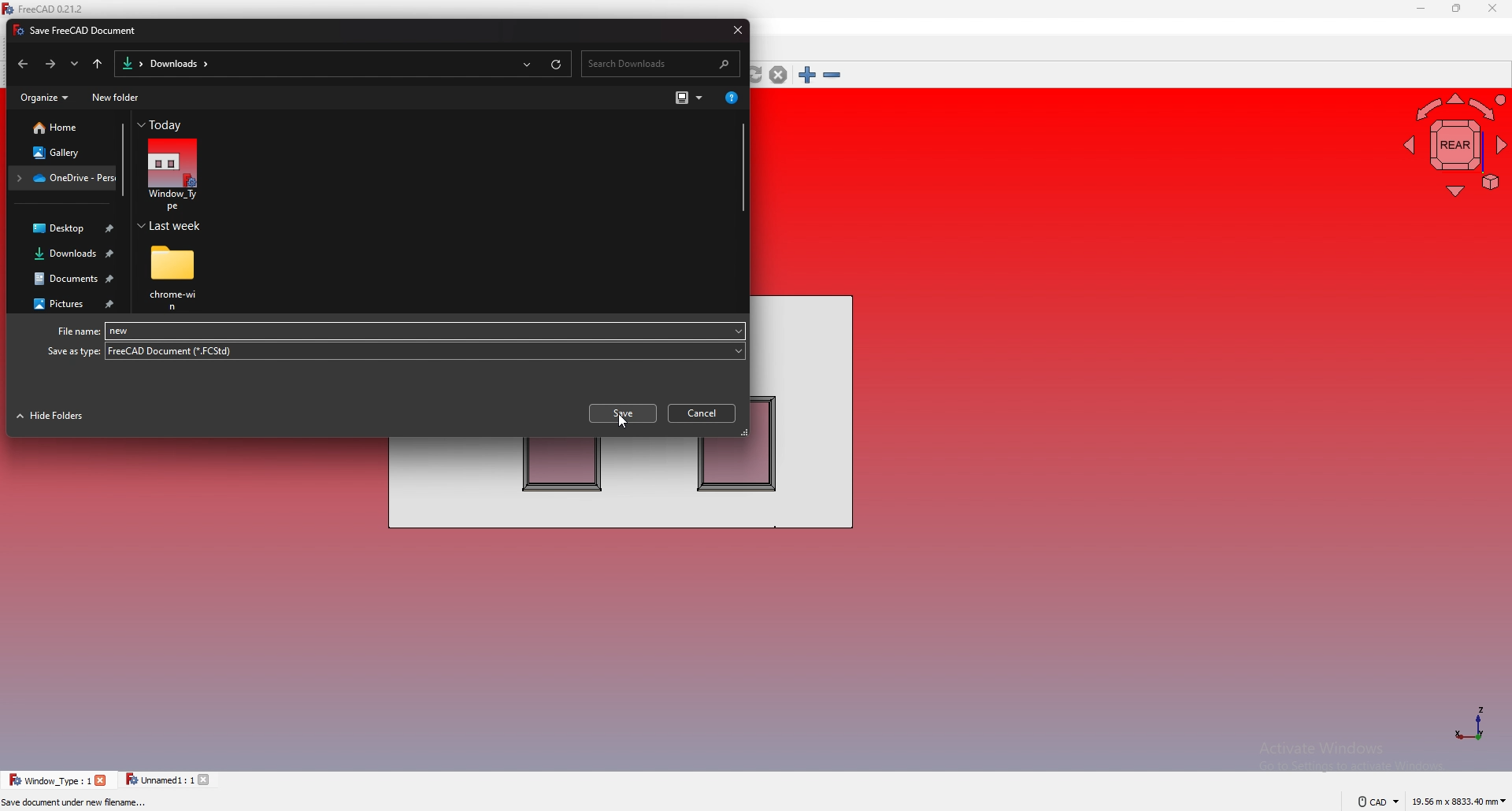 The width and height of the screenshot is (1512, 811). I want to click on home, so click(61, 128).